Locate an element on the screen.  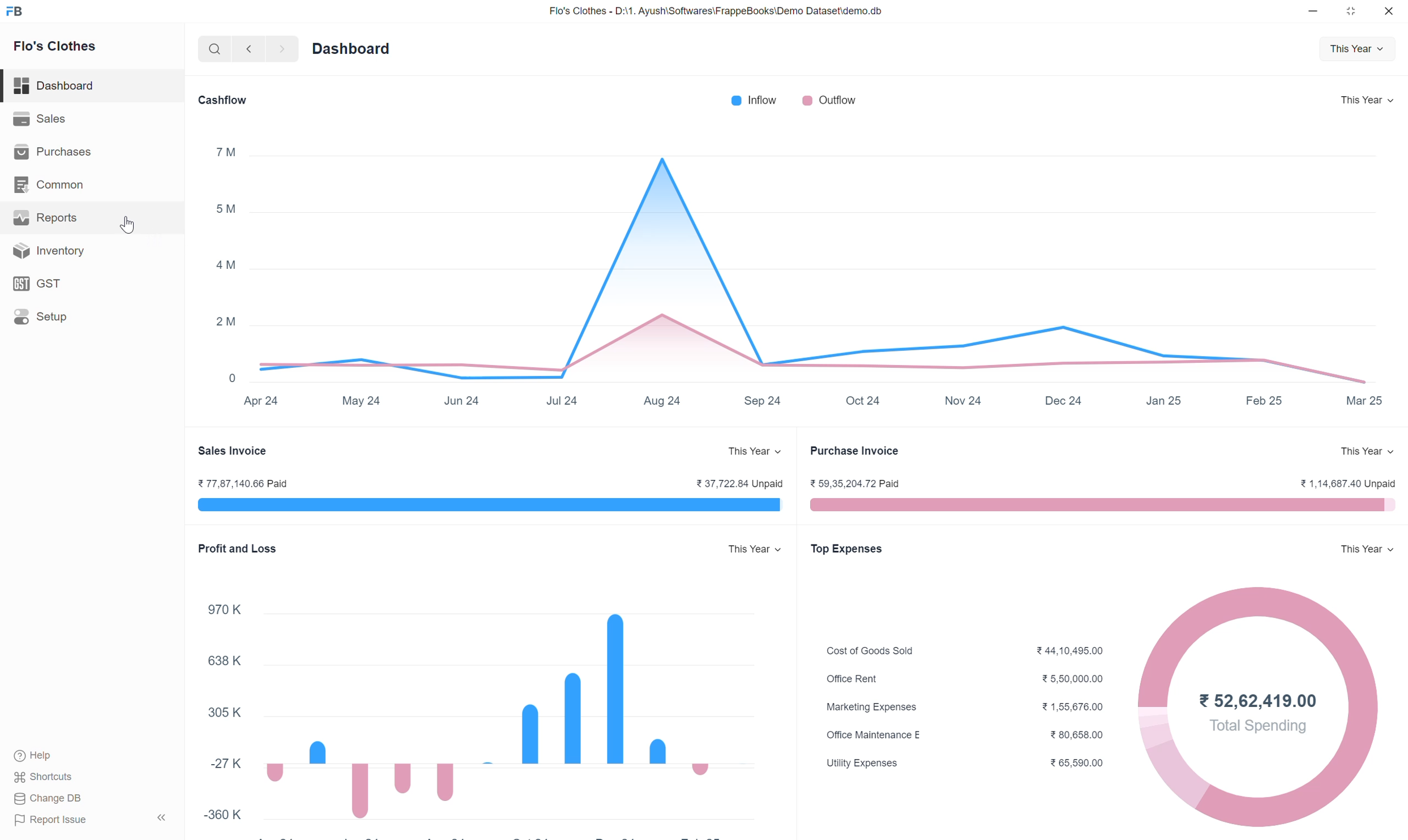
-360 K is located at coordinates (228, 815).